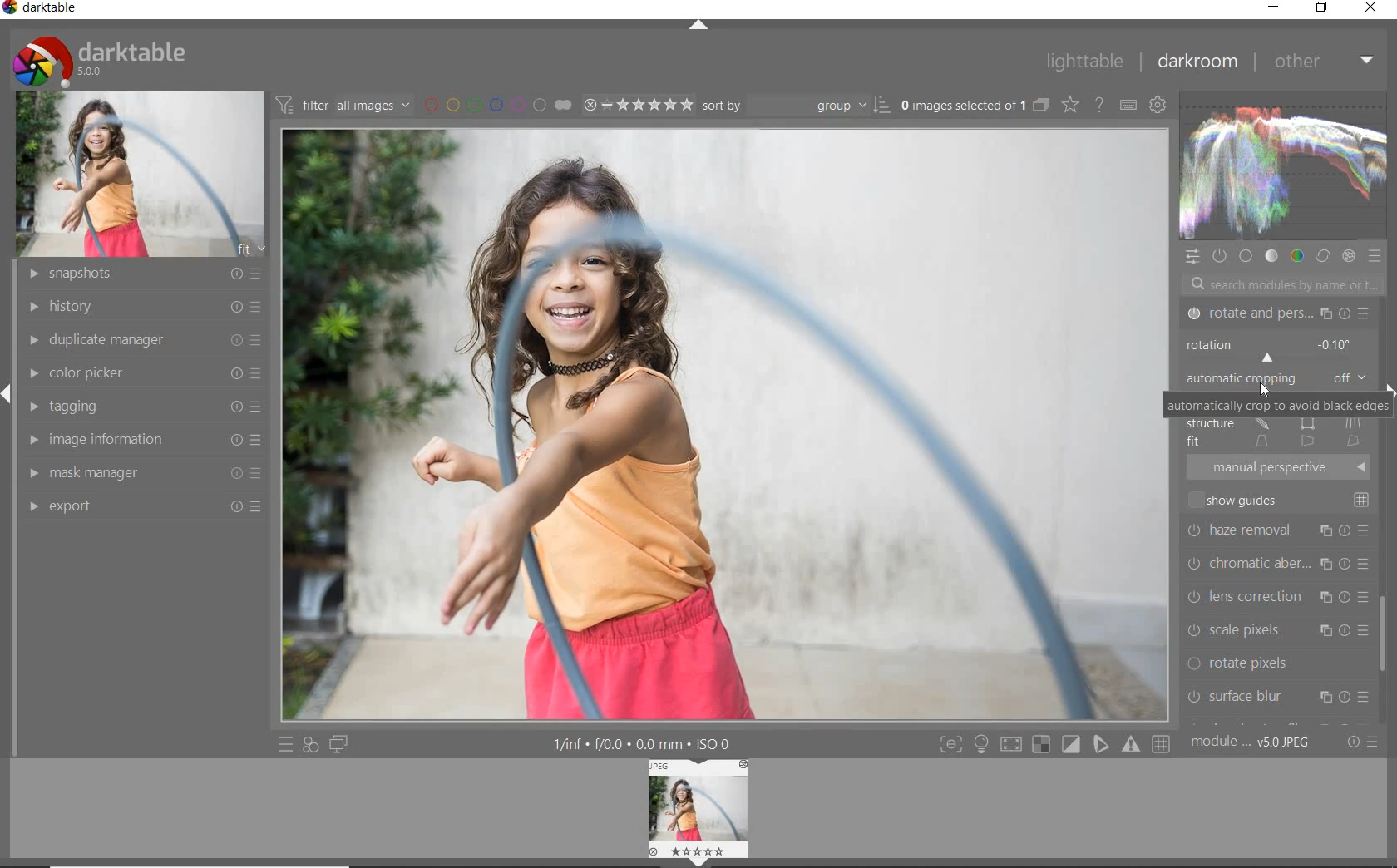 This screenshot has width=1397, height=868. Describe the element at coordinates (1272, 7) in the screenshot. I see `minimize` at that location.